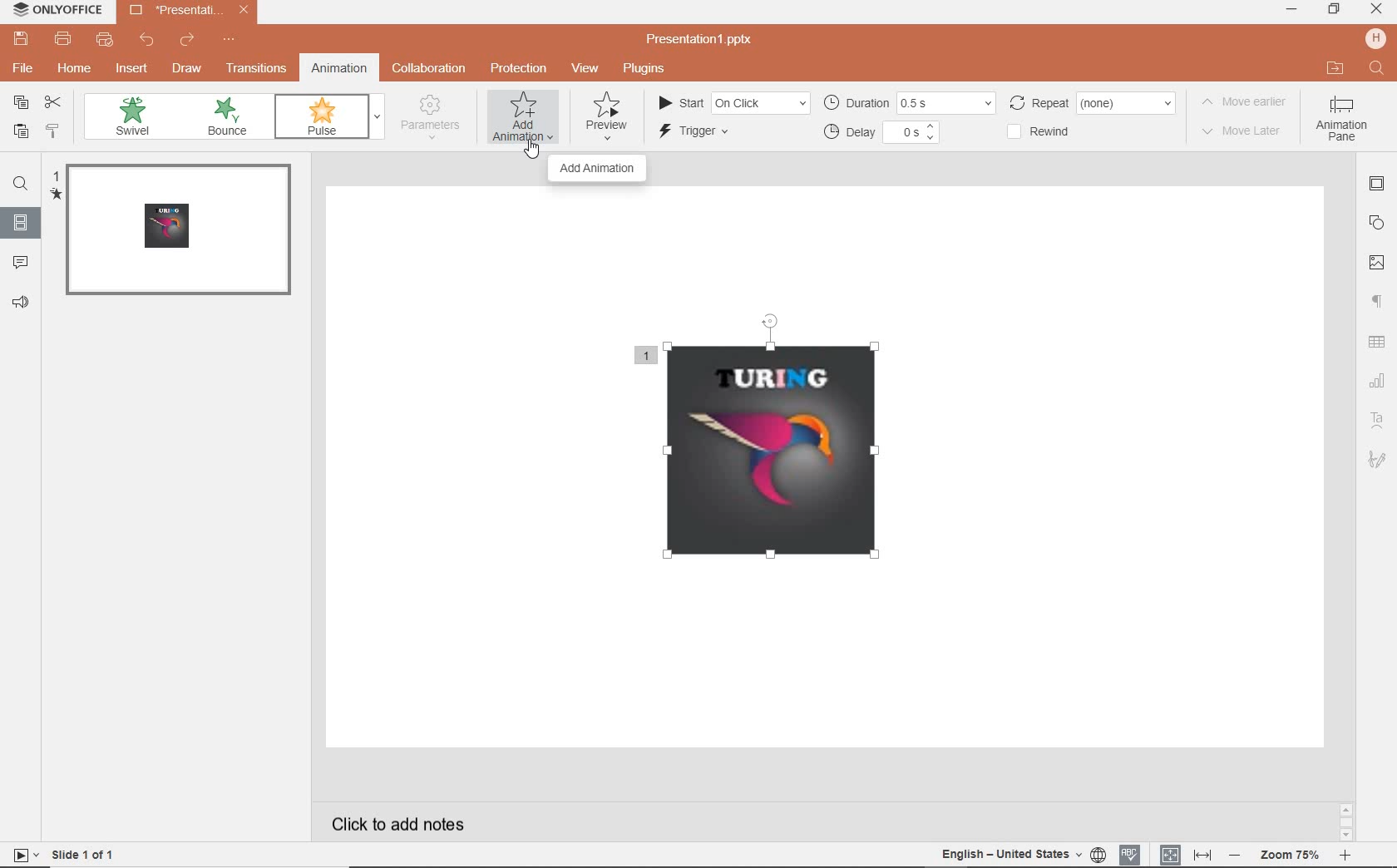  What do you see at coordinates (104, 40) in the screenshot?
I see `quick print` at bounding box center [104, 40].